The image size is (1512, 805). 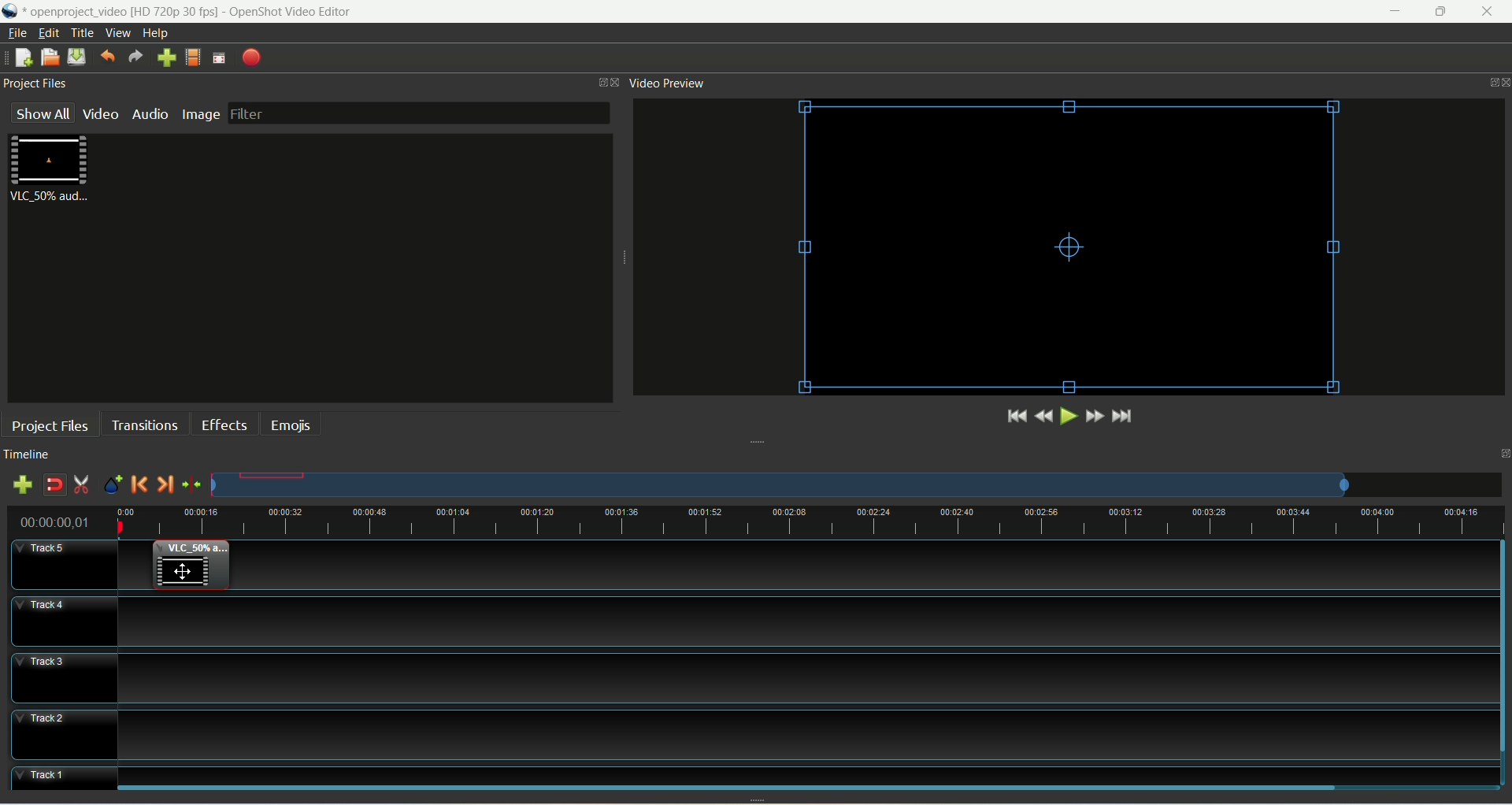 I want to click on track3, so click(x=64, y=677).